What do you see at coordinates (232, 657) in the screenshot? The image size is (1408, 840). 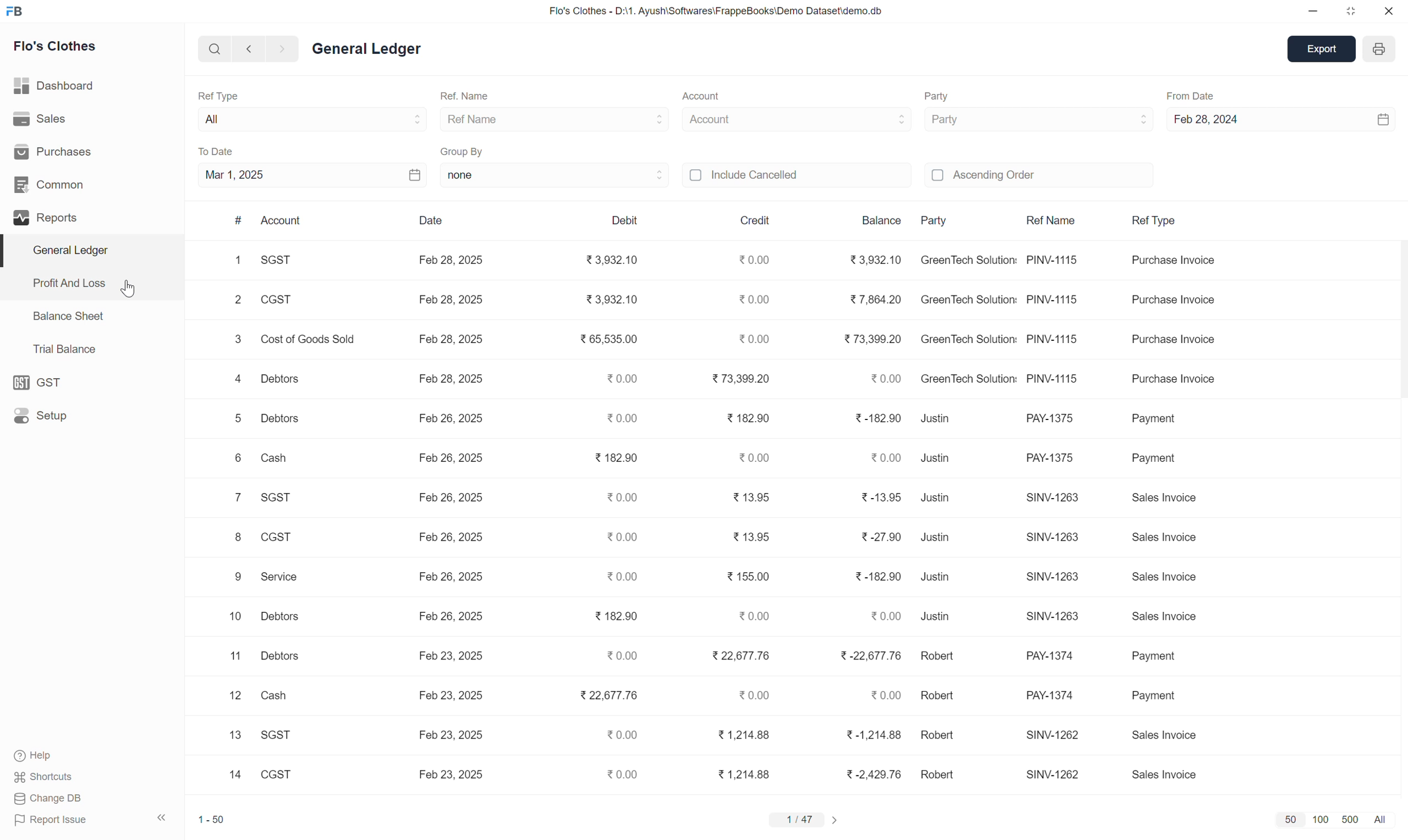 I see `11` at bounding box center [232, 657].